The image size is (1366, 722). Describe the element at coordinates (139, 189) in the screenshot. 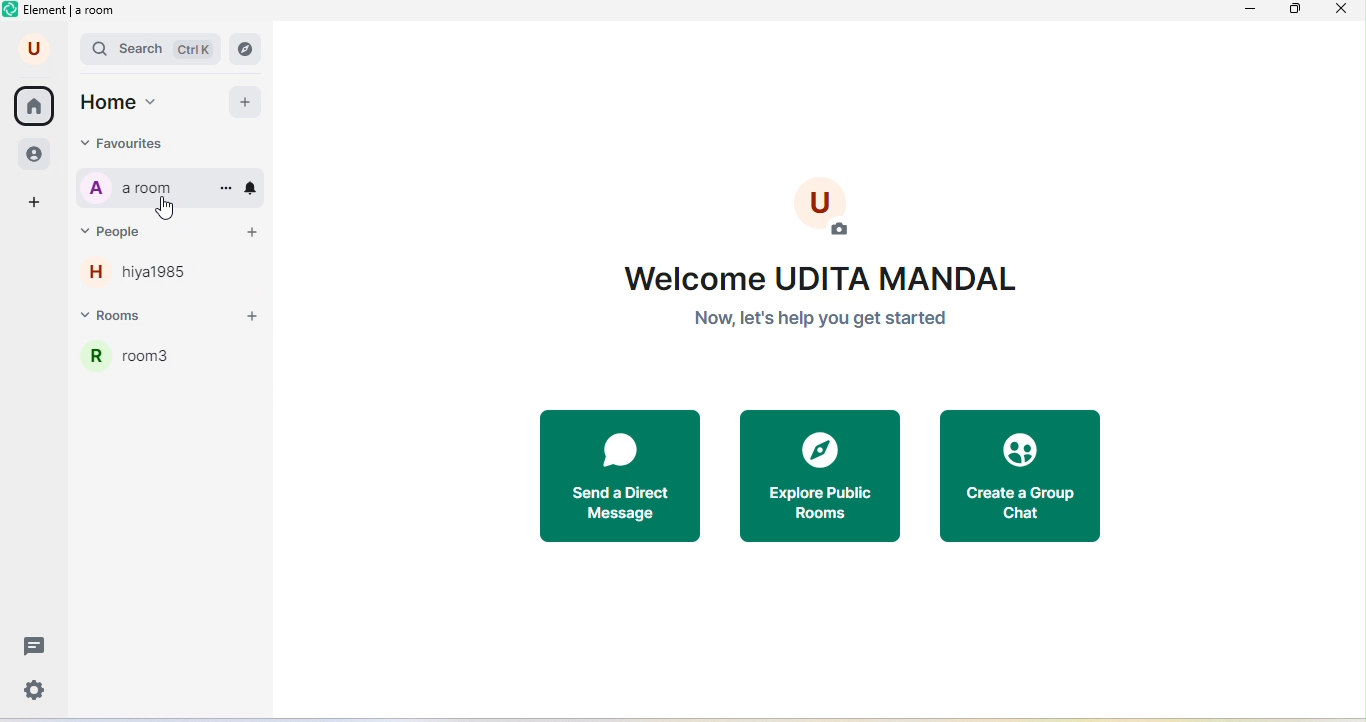

I see `a room` at that location.